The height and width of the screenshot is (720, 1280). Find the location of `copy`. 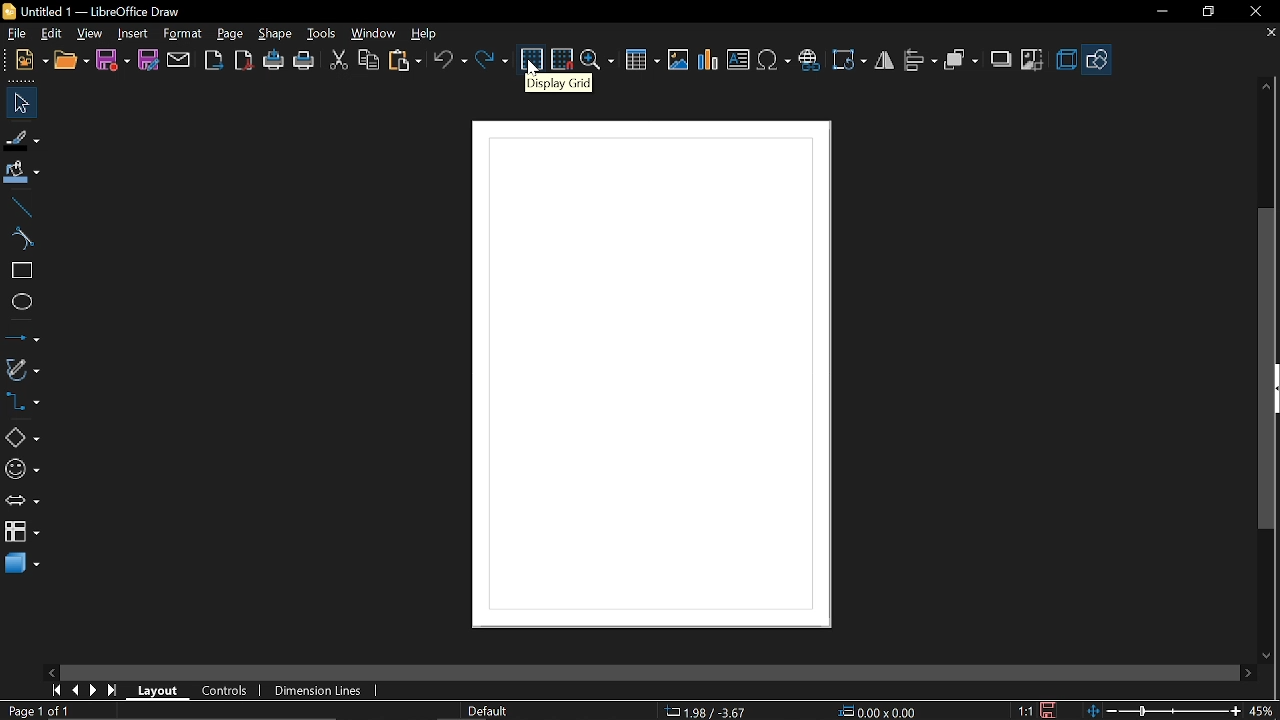

copy is located at coordinates (370, 60).